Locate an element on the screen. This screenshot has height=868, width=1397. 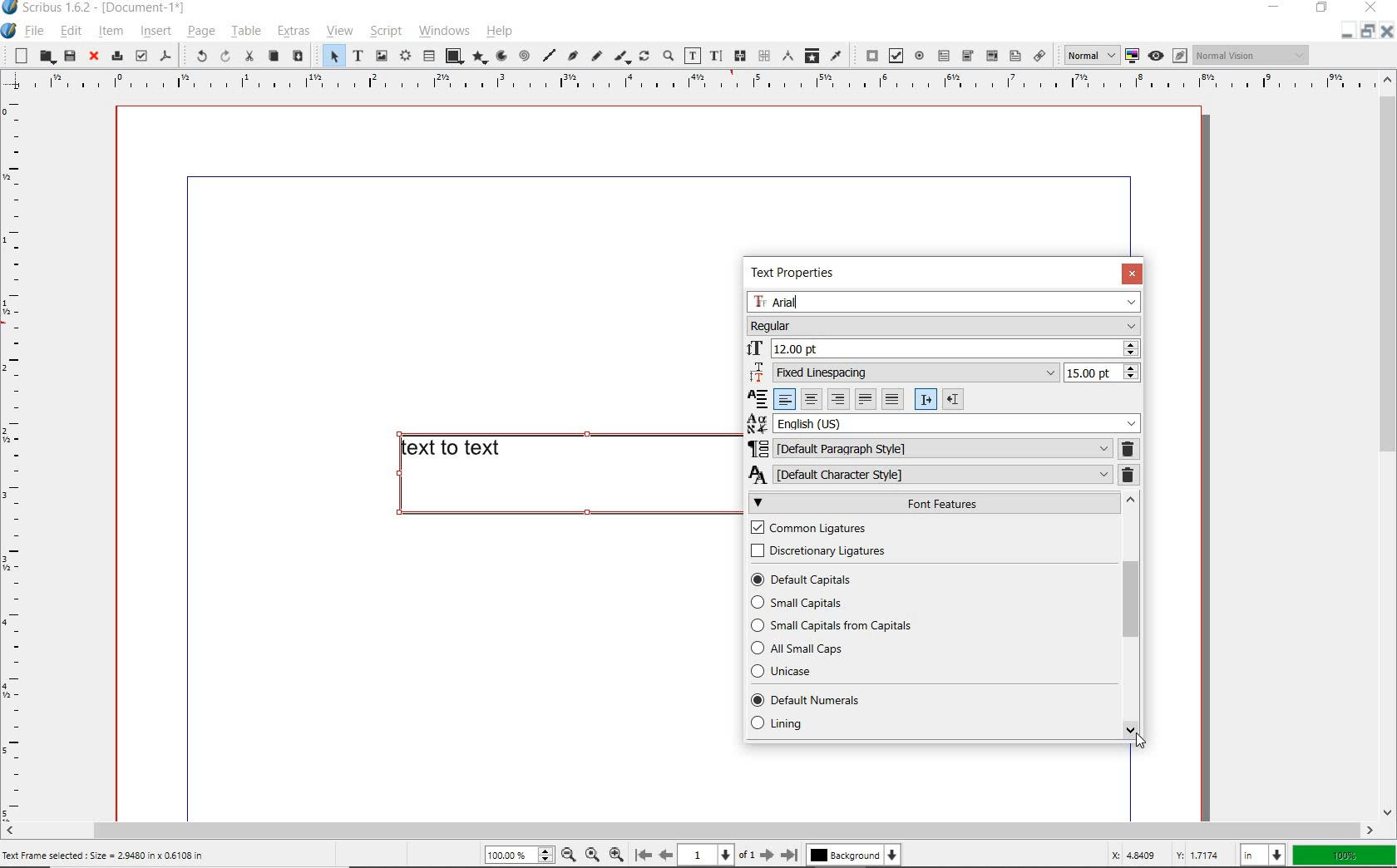
line is located at coordinates (548, 55).